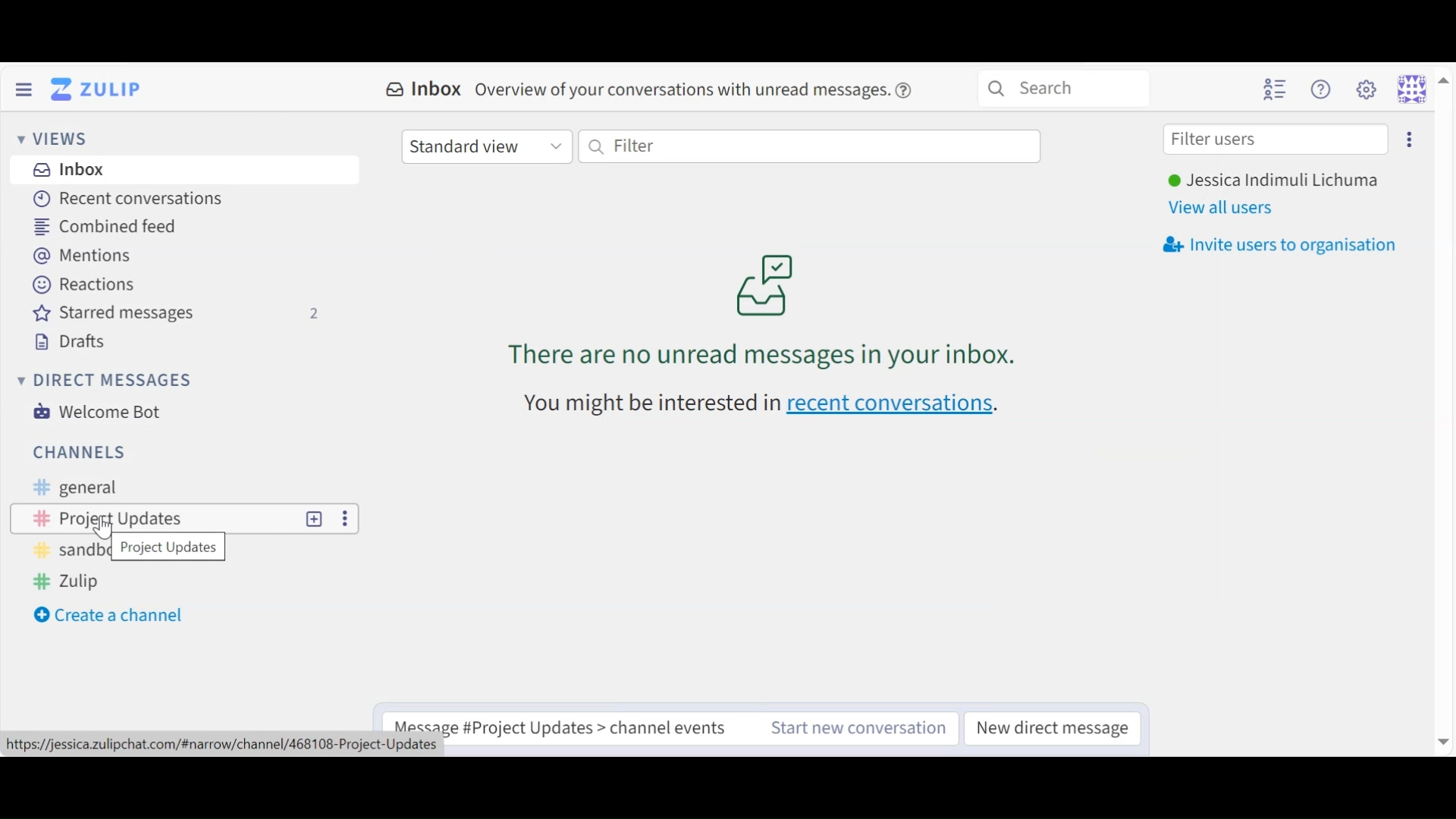 The height and width of the screenshot is (819, 1456). I want to click on Start new Conversation, so click(861, 726).